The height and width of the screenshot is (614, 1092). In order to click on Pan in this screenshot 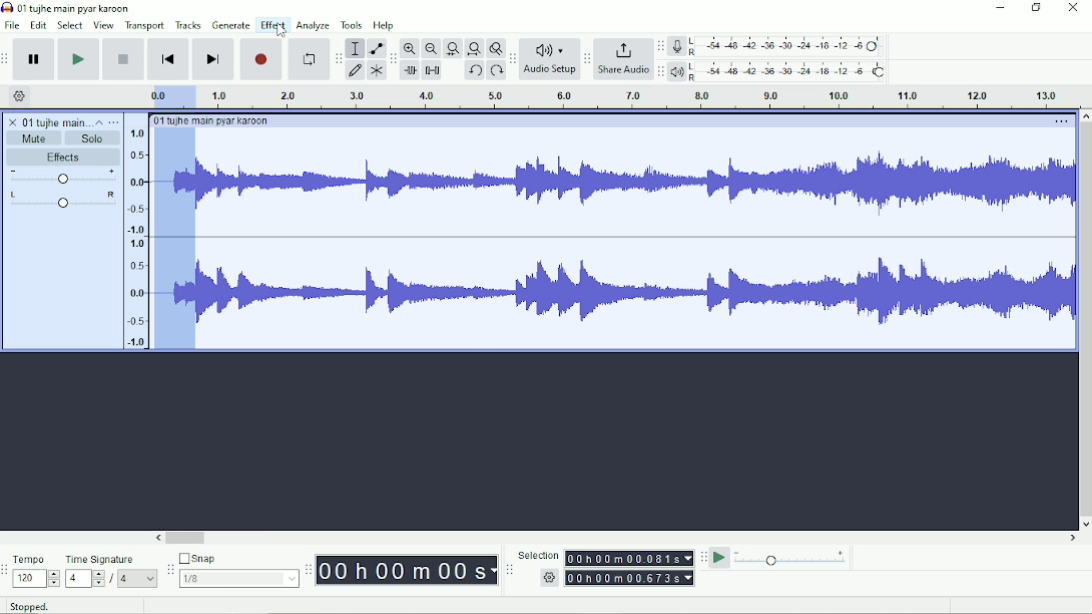, I will do `click(62, 201)`.